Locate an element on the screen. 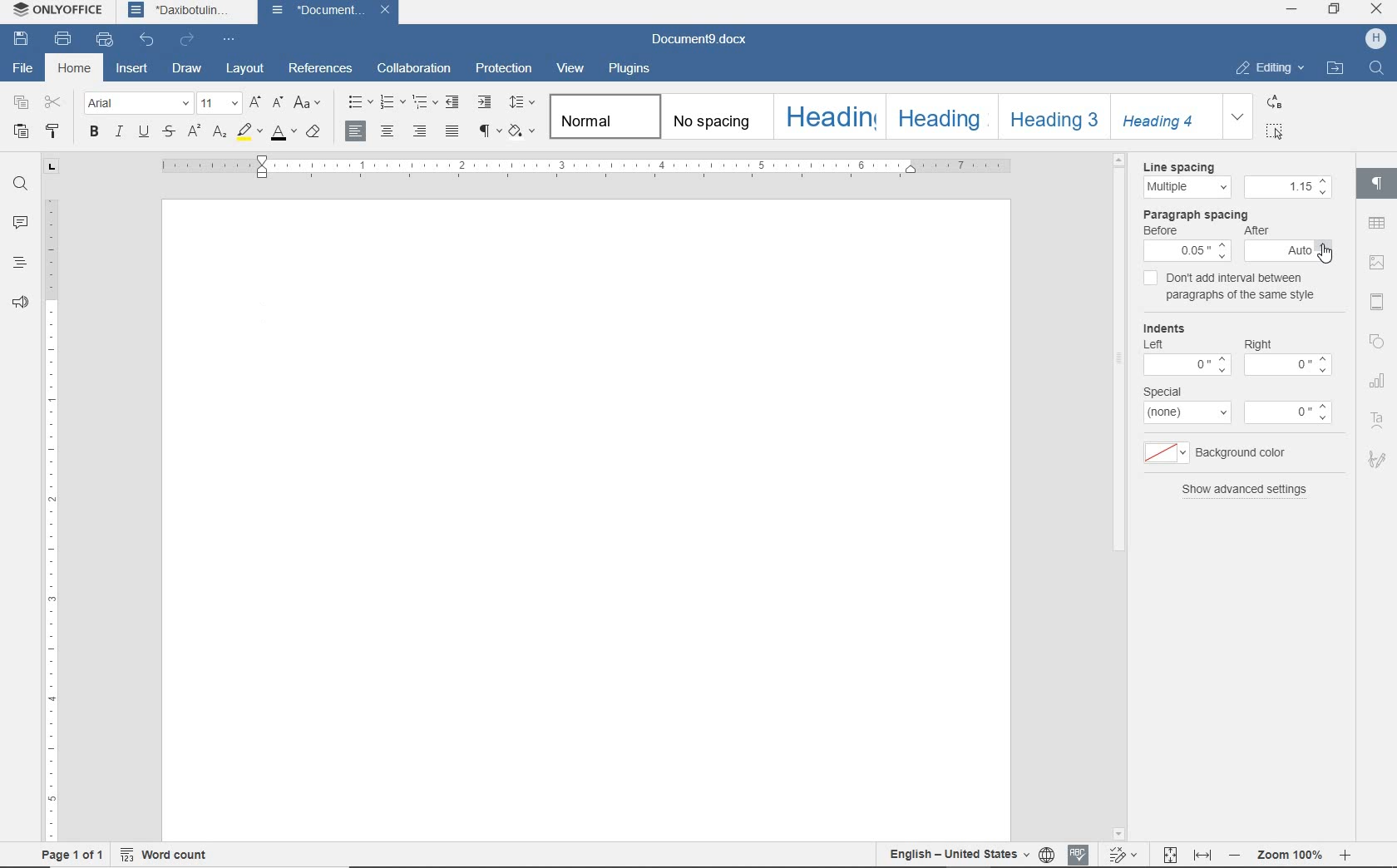 The height and width of the screenshot is (868, 1397). line spacing is located at coordinates (1178, 167).